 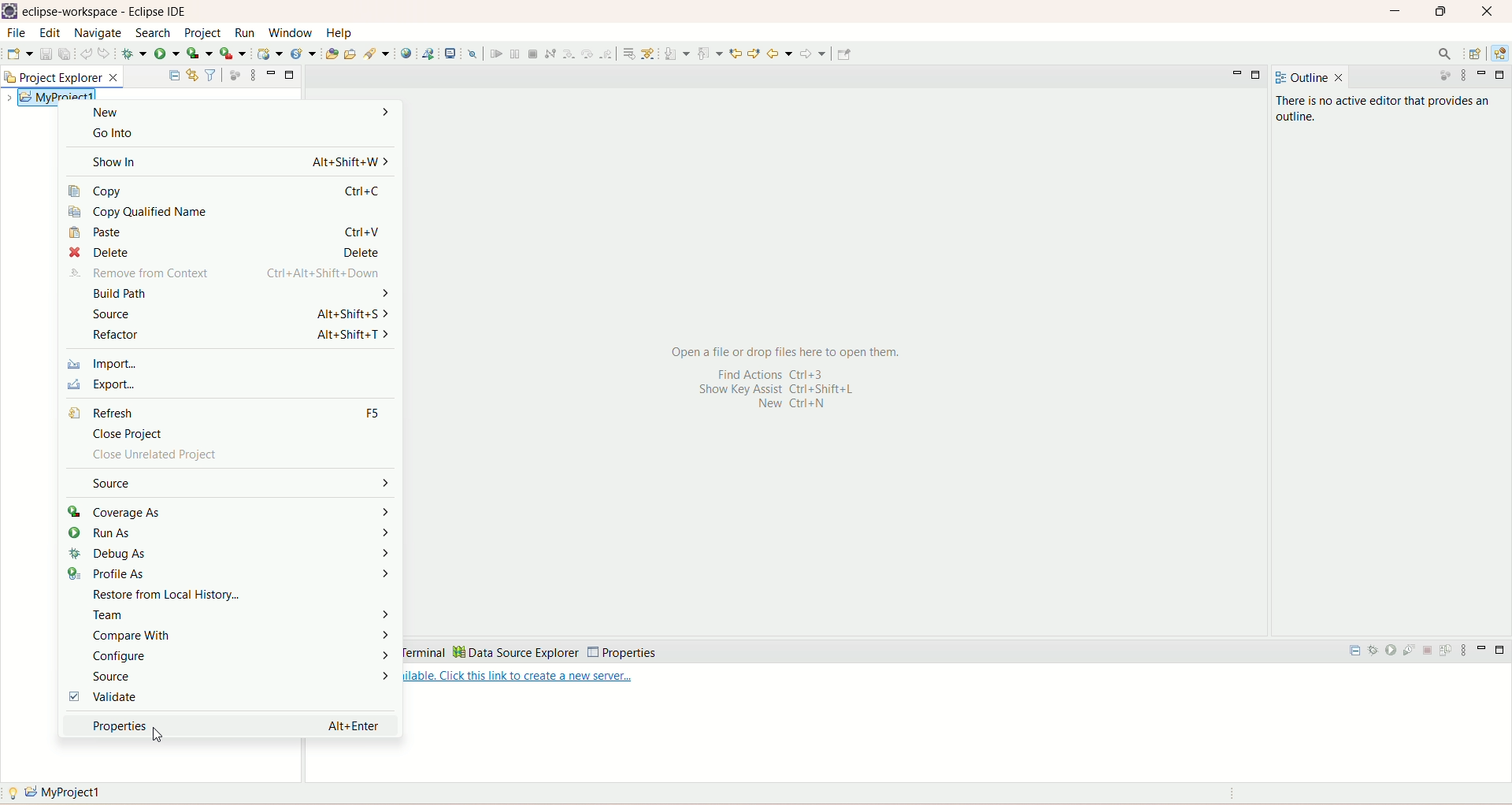 What do you see at coordinates (204, 33) in the screenshot?
I see `project` at bounding box center [204, 33].